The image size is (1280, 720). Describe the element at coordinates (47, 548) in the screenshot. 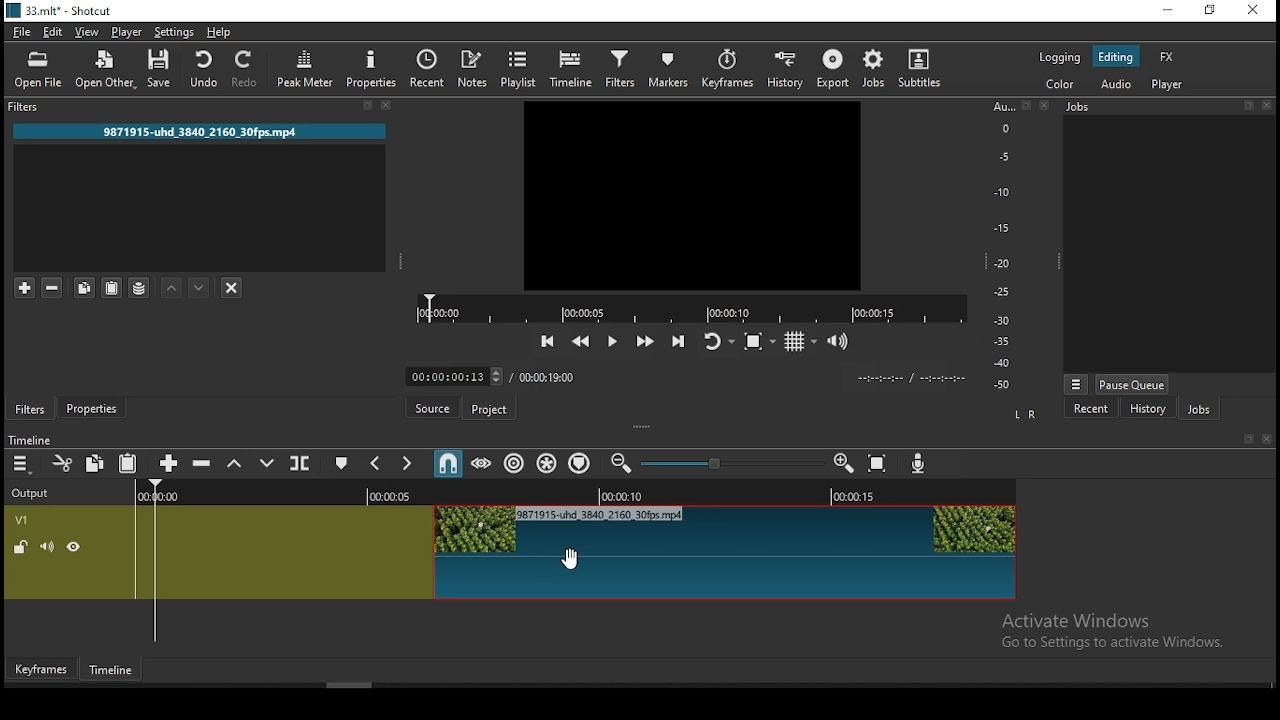

I see `(un)mute` at that location.